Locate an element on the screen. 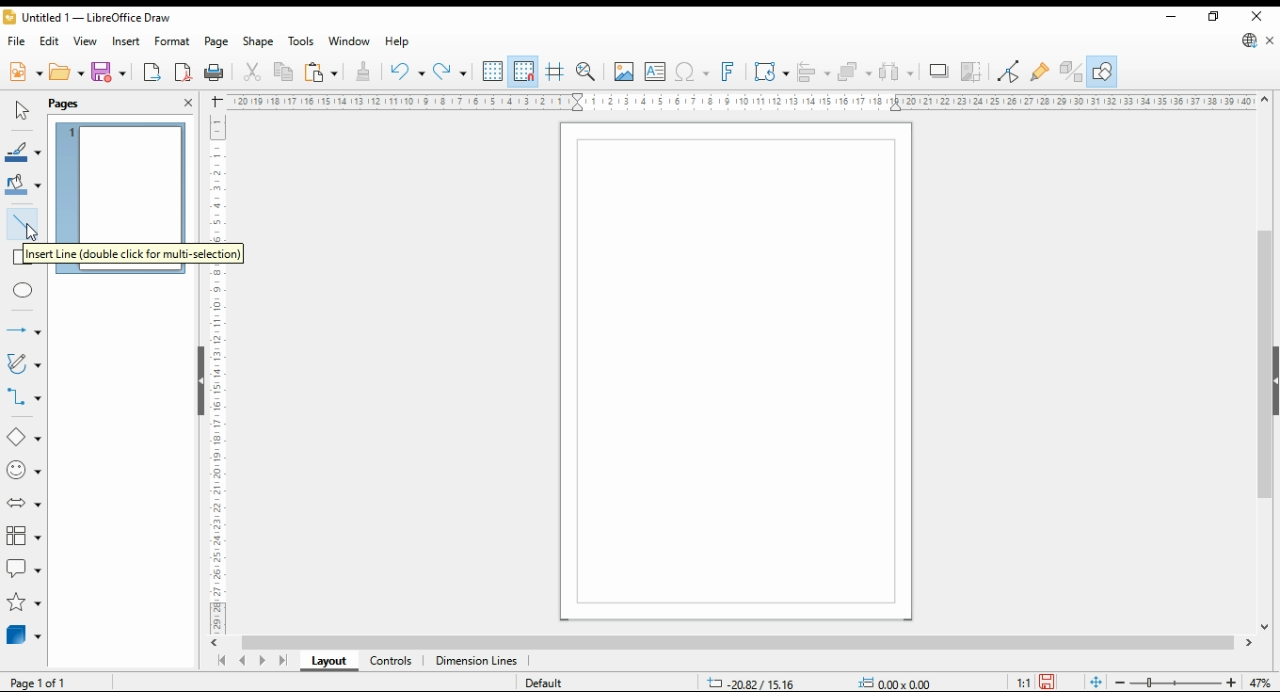 The height and width of the screenshot is (692, 1280). redo is located at coordinates (450, 73).